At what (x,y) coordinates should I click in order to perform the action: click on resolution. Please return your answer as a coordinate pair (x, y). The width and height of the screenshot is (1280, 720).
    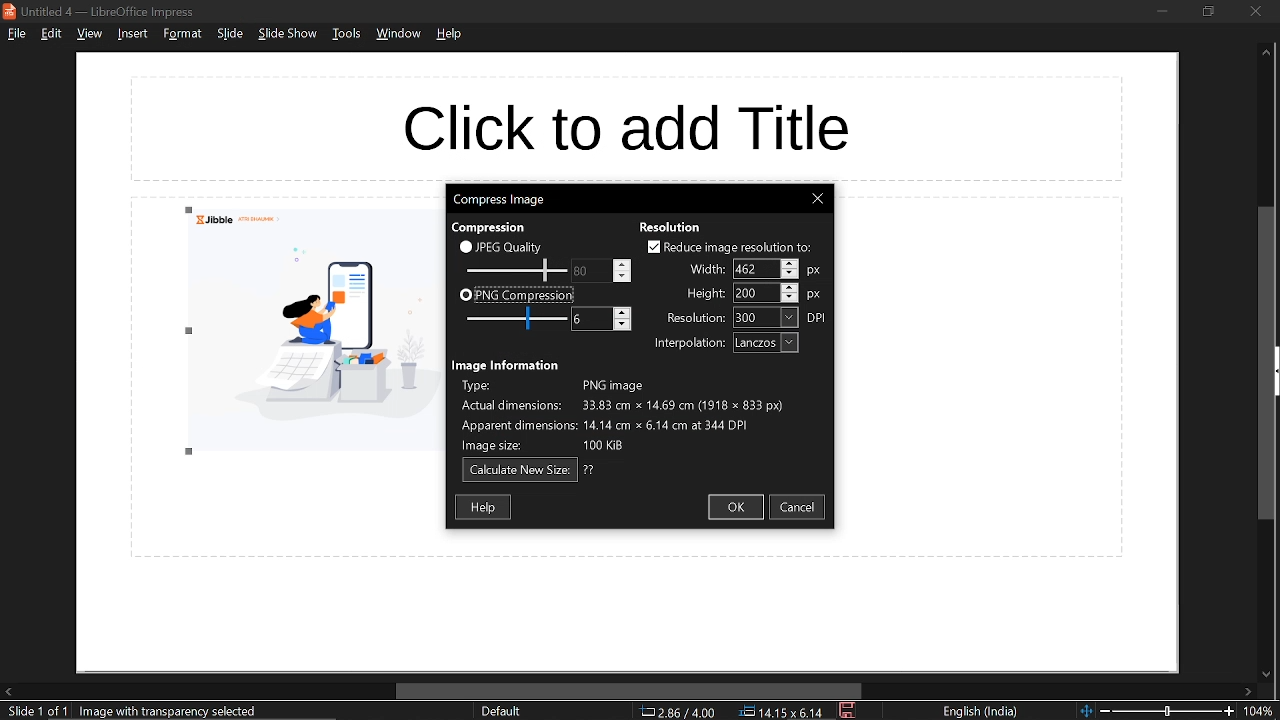
    Looking at the image, I should click on (766, 318).